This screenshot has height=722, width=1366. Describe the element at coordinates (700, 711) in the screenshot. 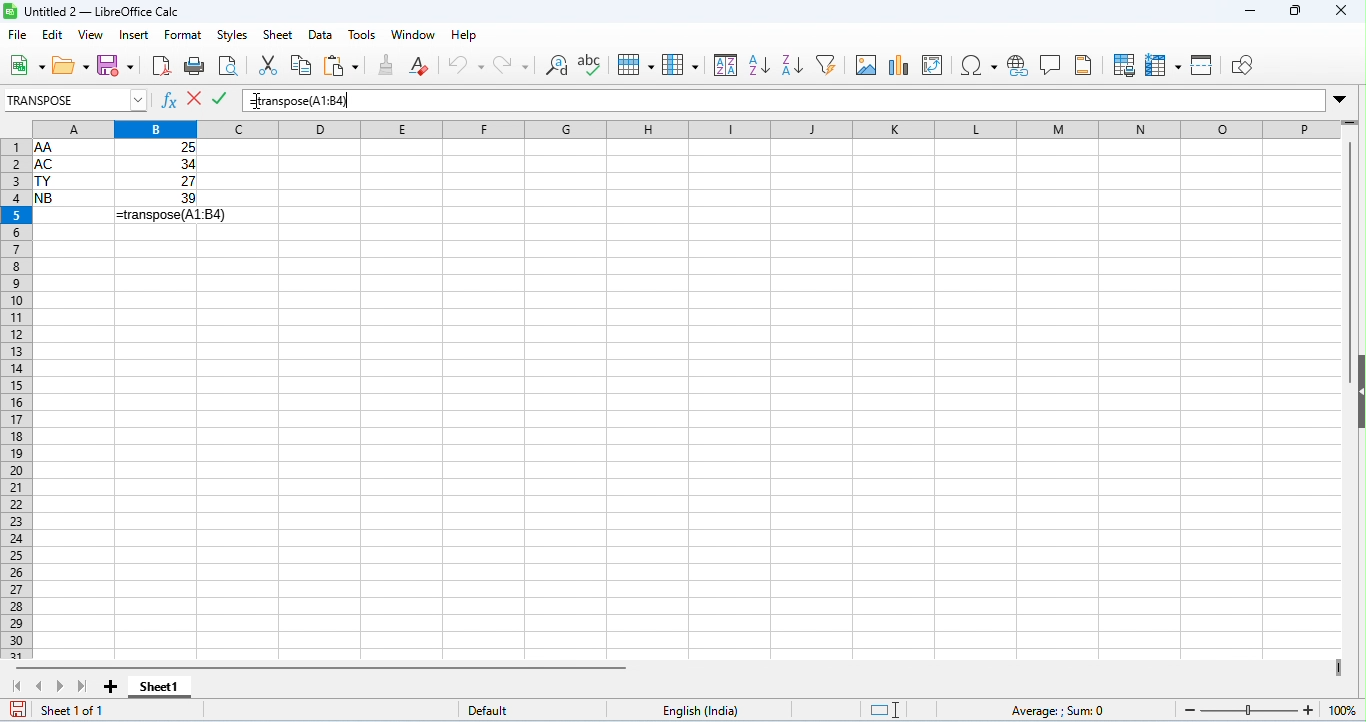

I see `English india` at that location.